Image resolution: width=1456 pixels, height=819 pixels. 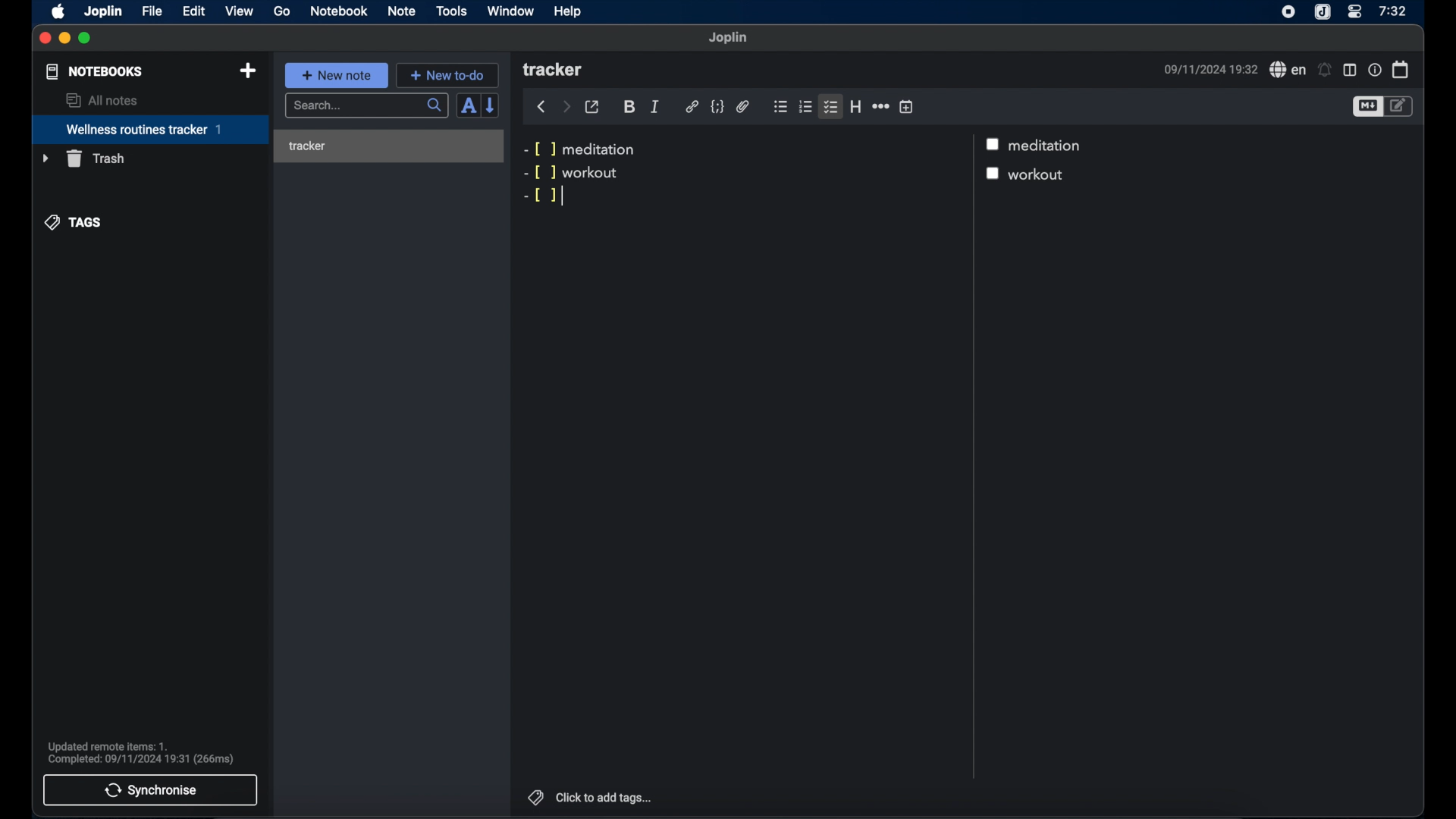 I want to click on note, so click(x=402, y=12).